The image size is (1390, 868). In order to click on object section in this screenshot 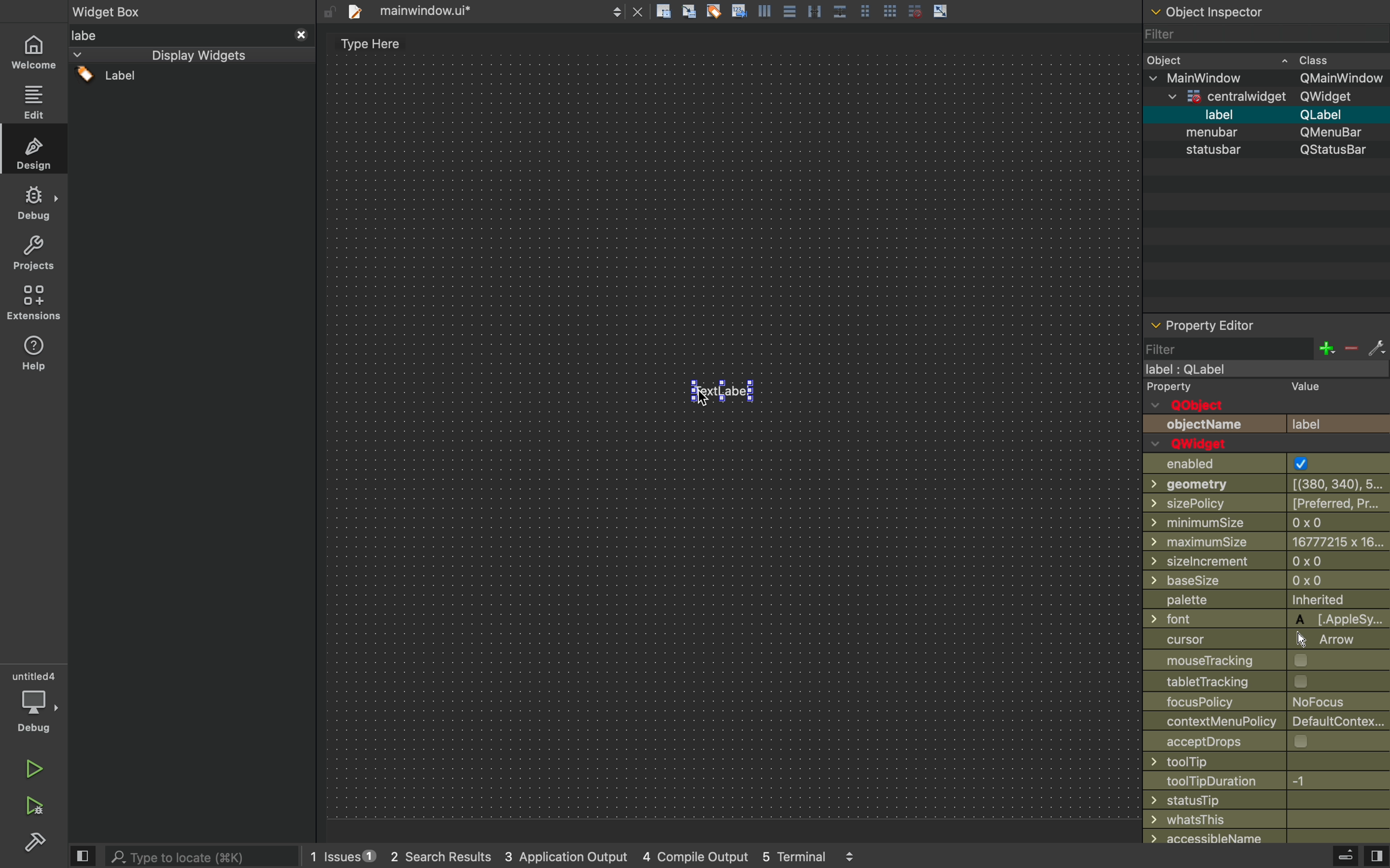, I will do `click(1263, 13)`.